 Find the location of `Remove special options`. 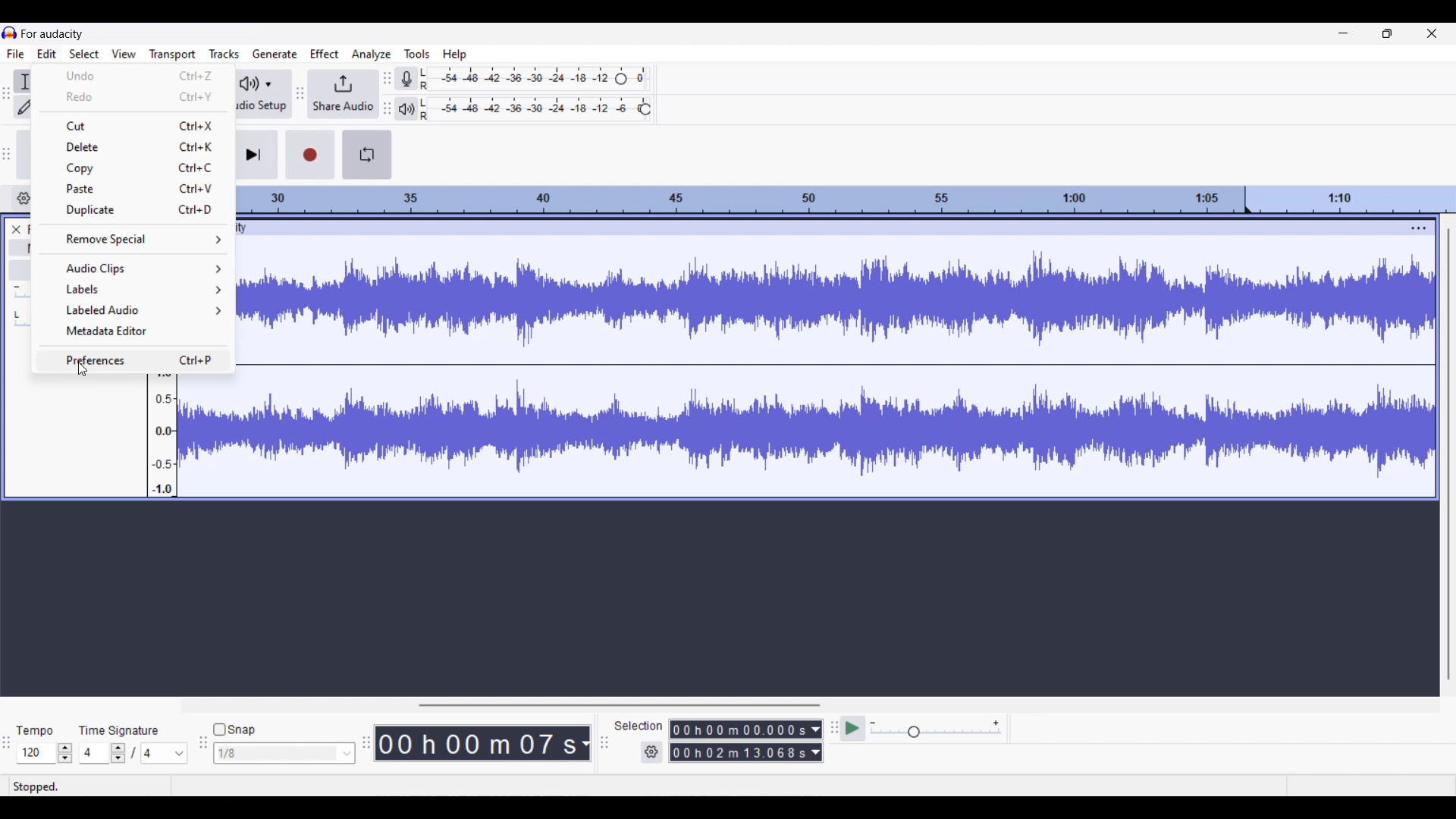

Remove special options is located at coordinates (133, 239).